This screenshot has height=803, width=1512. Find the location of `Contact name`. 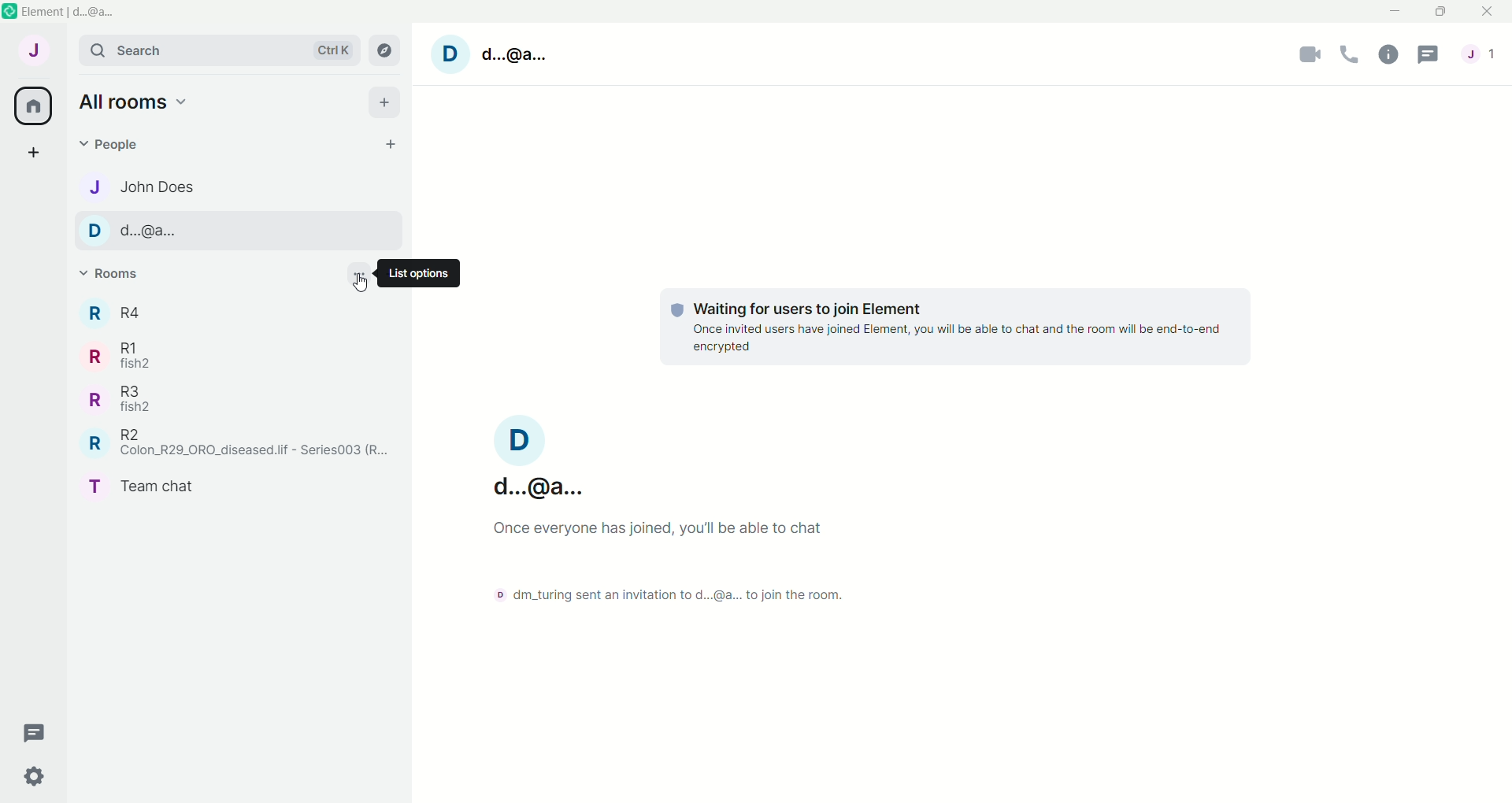

Contact name is located at coordinates (171, 229).